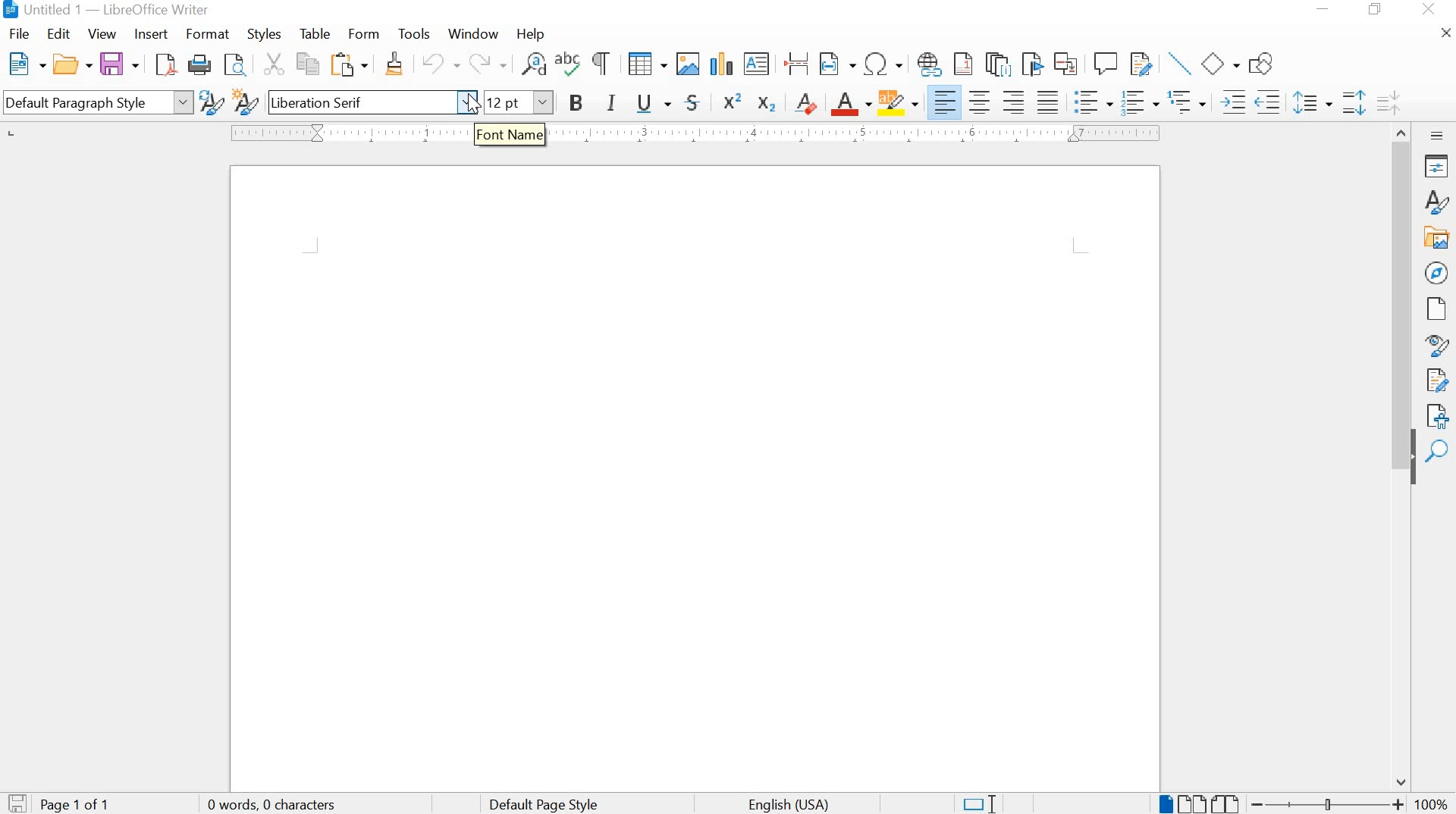 This screenshot has height=814, width=1456. What do you see at coordinates (374, 103) in the screenshot?
I see `FONT NAME` at bounding box center [374, 103].